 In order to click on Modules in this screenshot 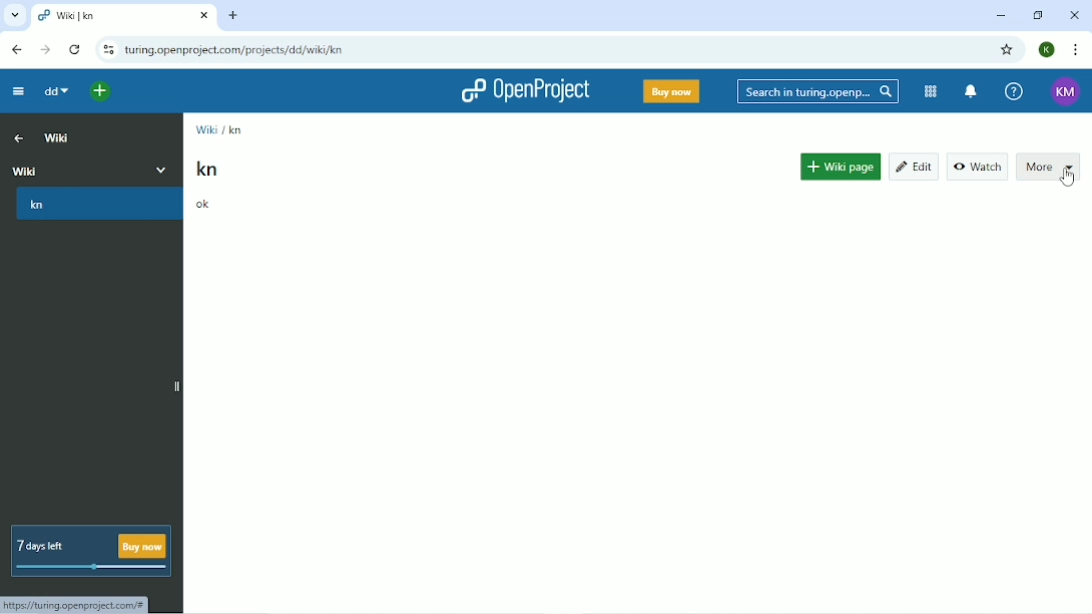, I will do `click(930, 91)`.